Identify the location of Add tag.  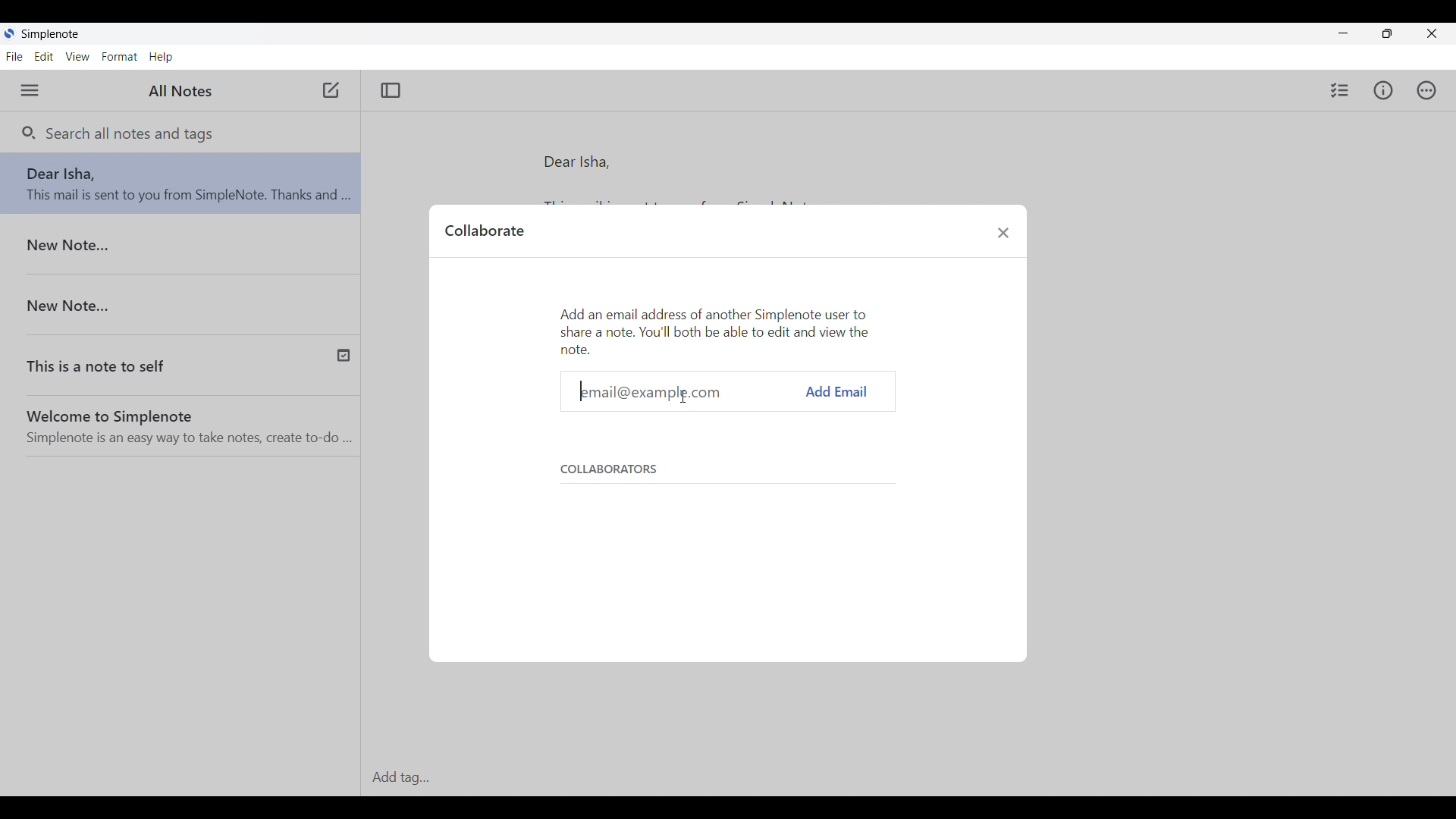
(905, 778).